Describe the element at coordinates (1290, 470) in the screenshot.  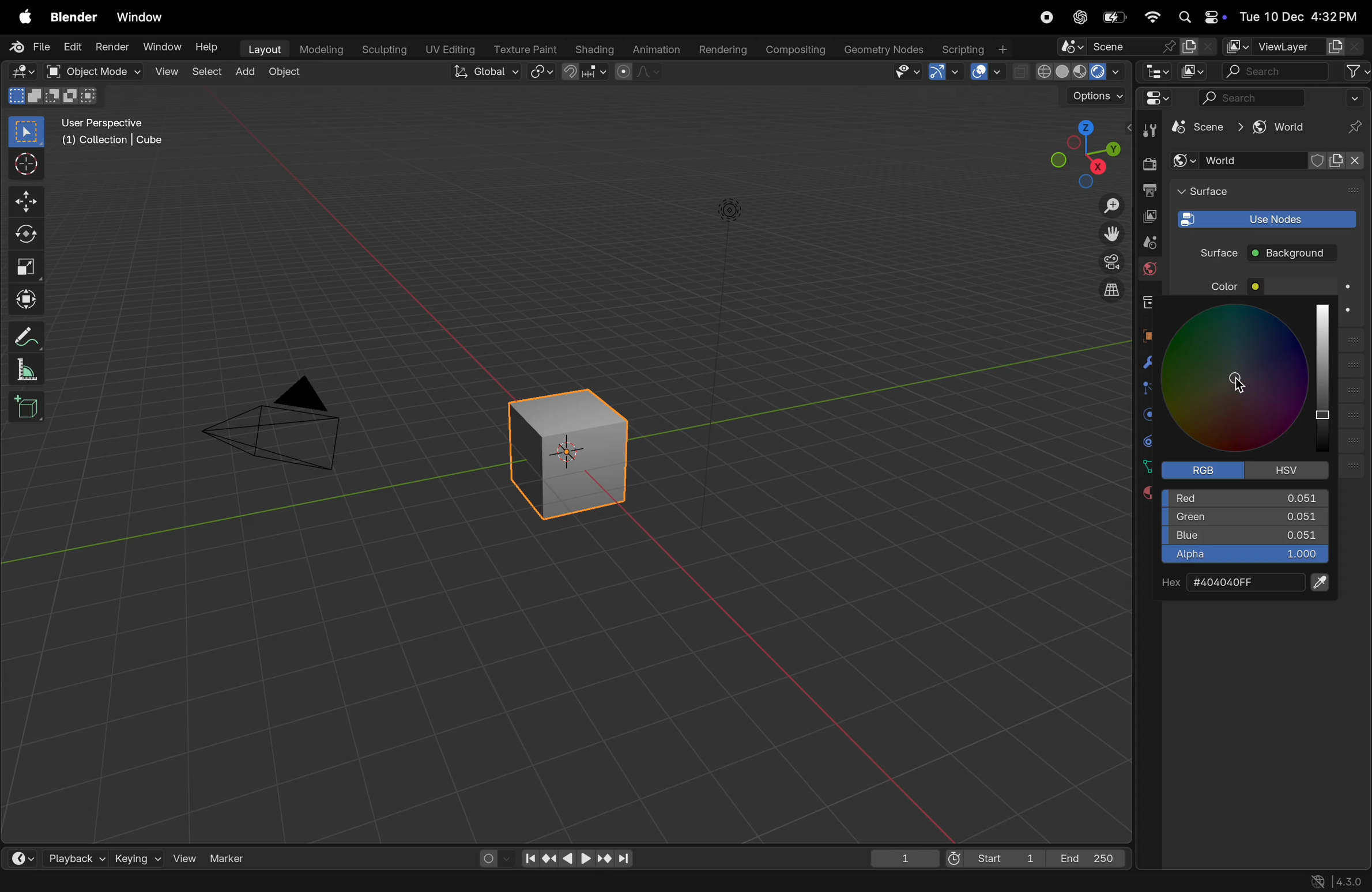
I see `Hsv` at that location.